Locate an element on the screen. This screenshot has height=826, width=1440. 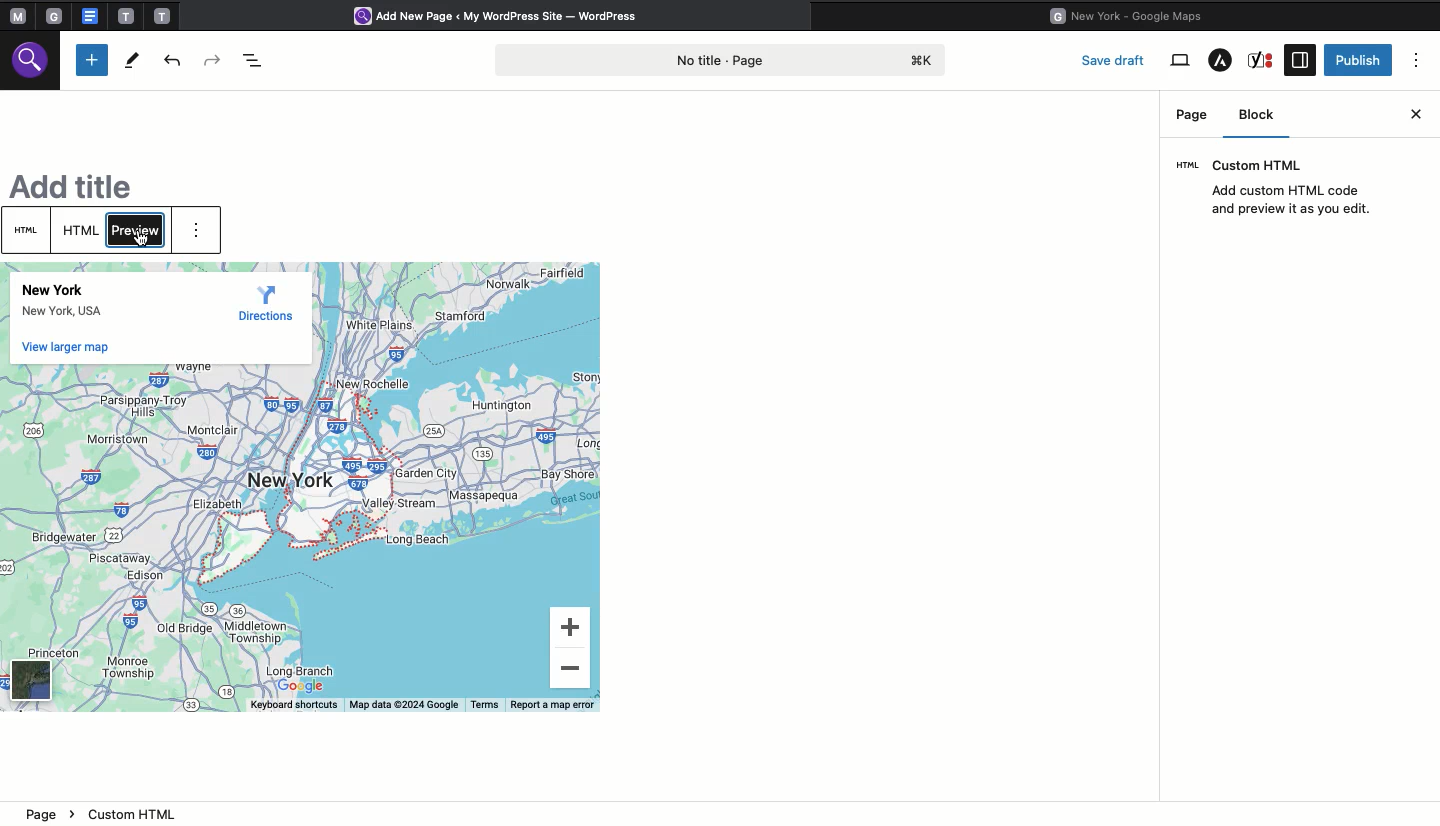
Add new block is located at coordinates (92, 60).